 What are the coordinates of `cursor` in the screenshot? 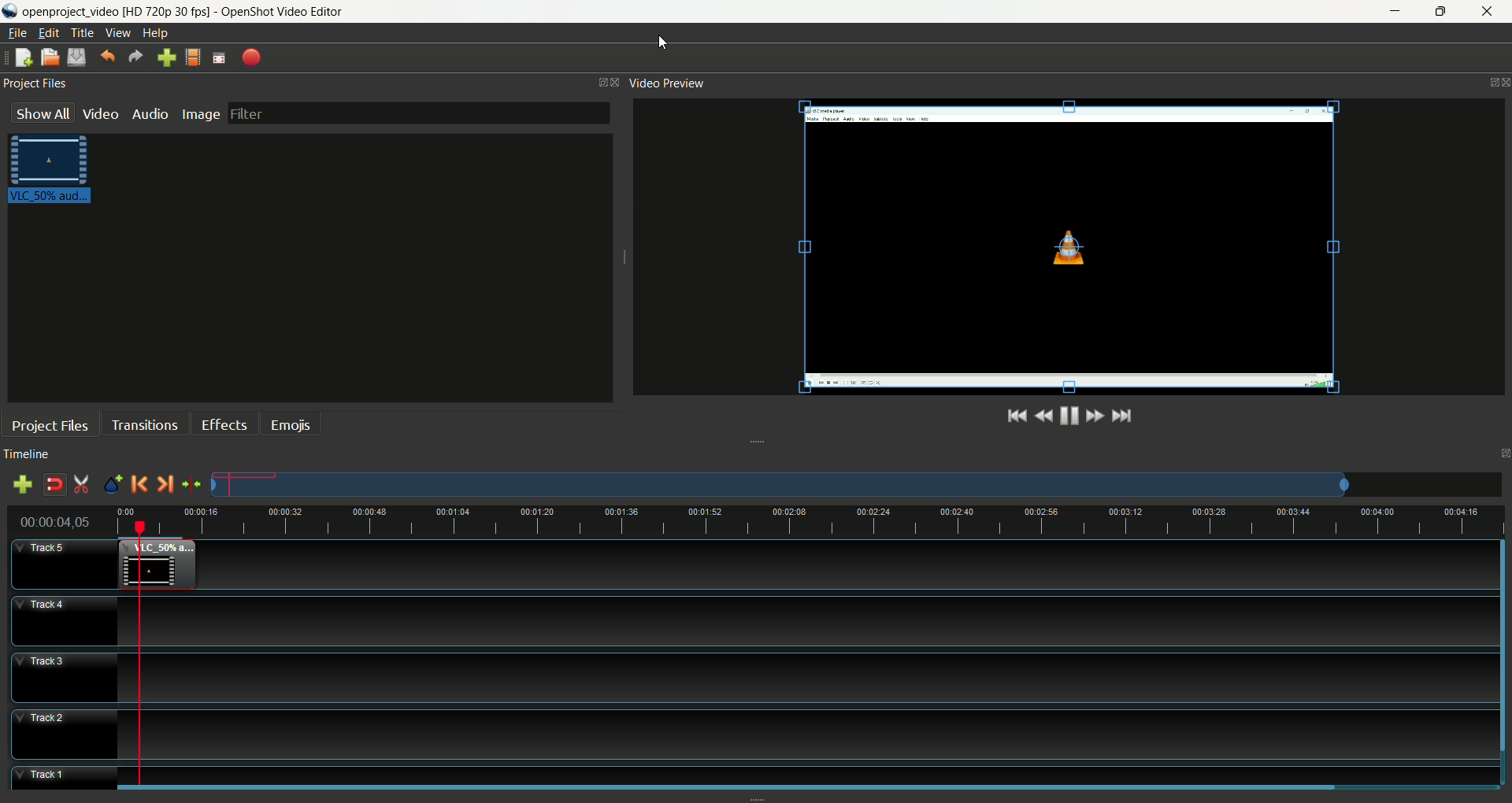 It's located at (119, 528).